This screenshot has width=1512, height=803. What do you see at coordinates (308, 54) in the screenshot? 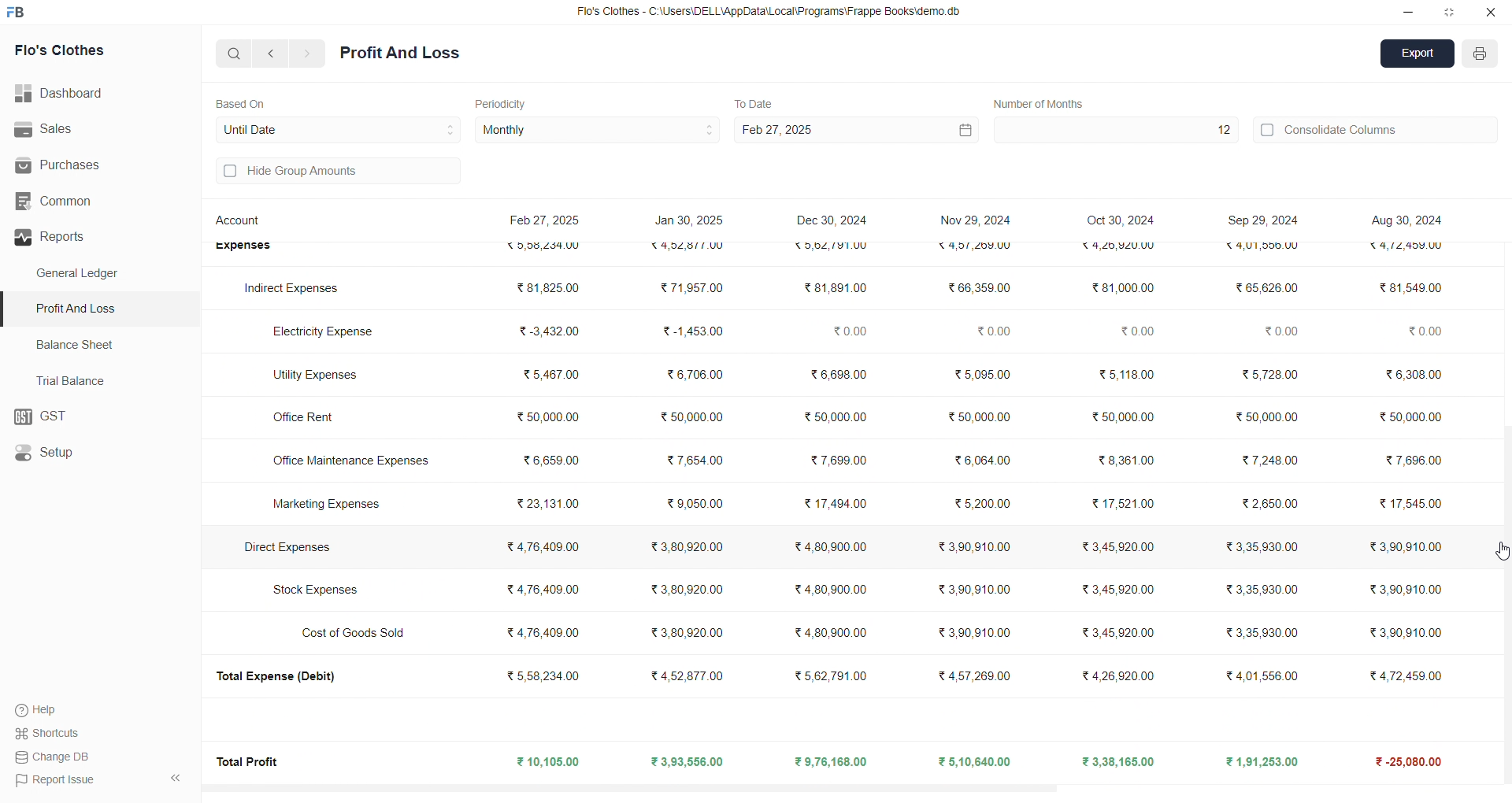
I see `navigate forward` at bounding box center [308, 54].